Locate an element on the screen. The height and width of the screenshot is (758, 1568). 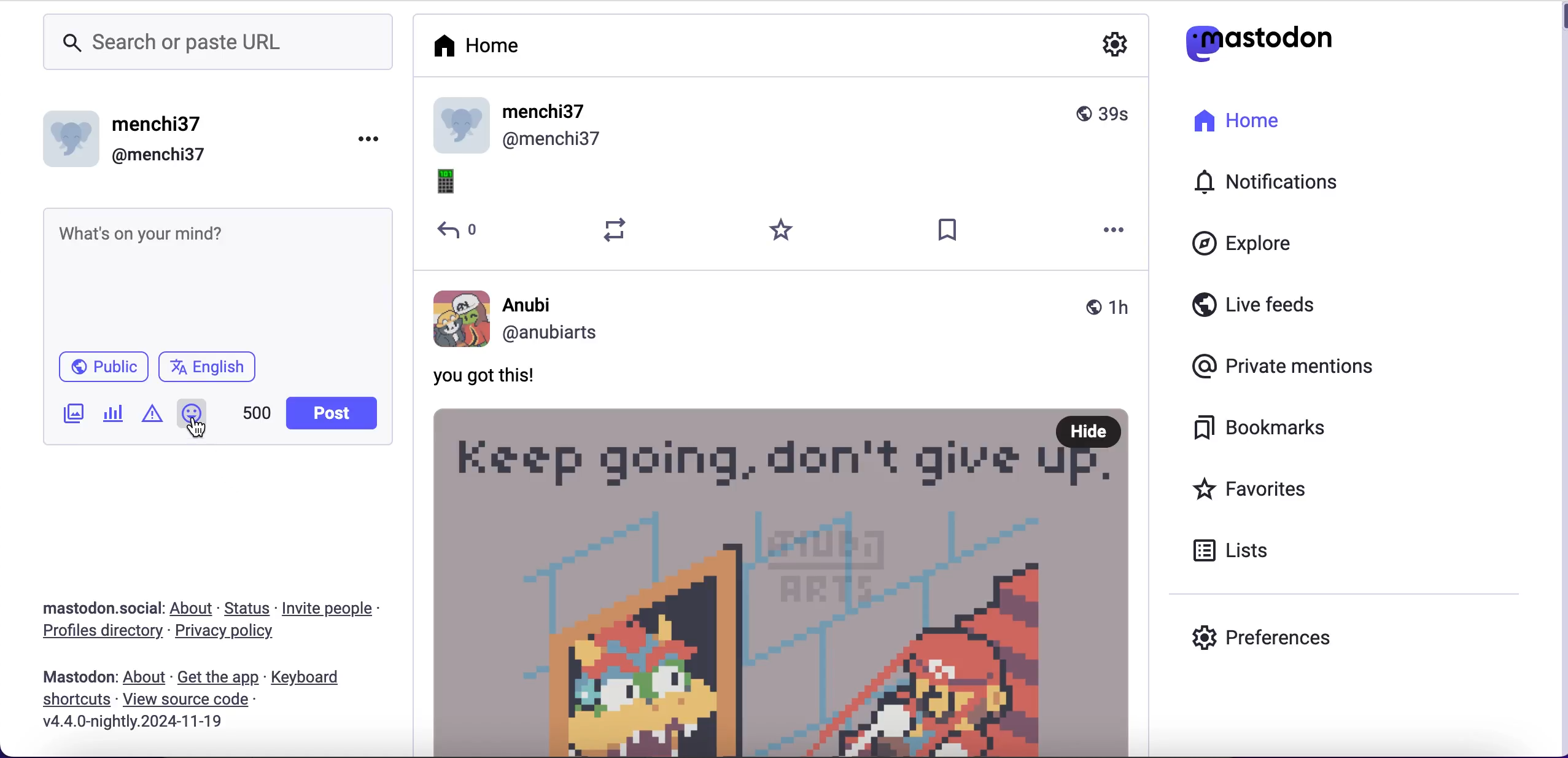
save is located at coordinates (949, 231).